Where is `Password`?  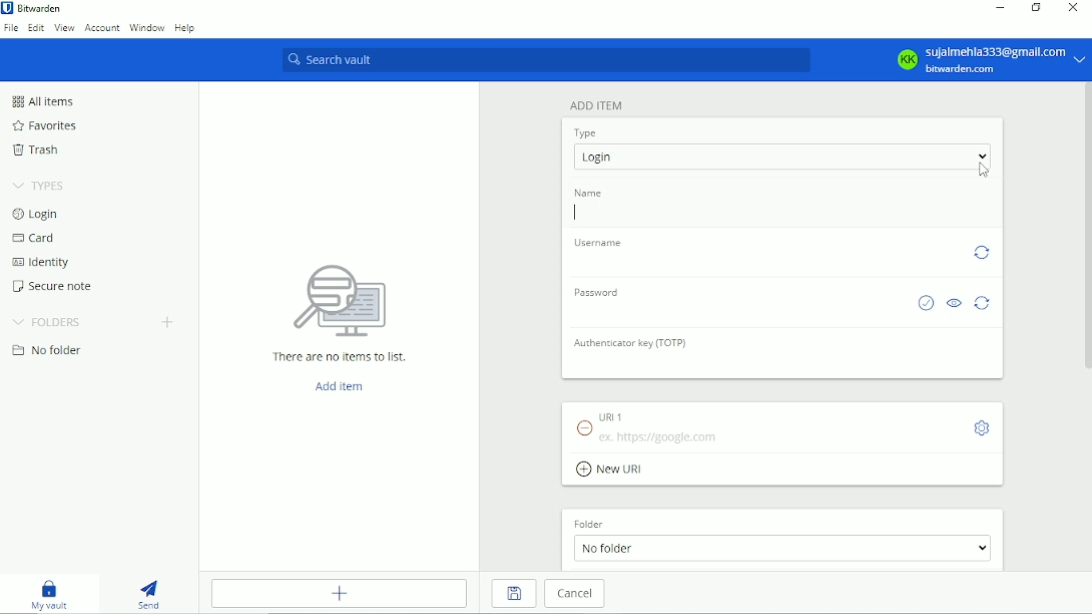 Password is located at coordinates (598, 292).